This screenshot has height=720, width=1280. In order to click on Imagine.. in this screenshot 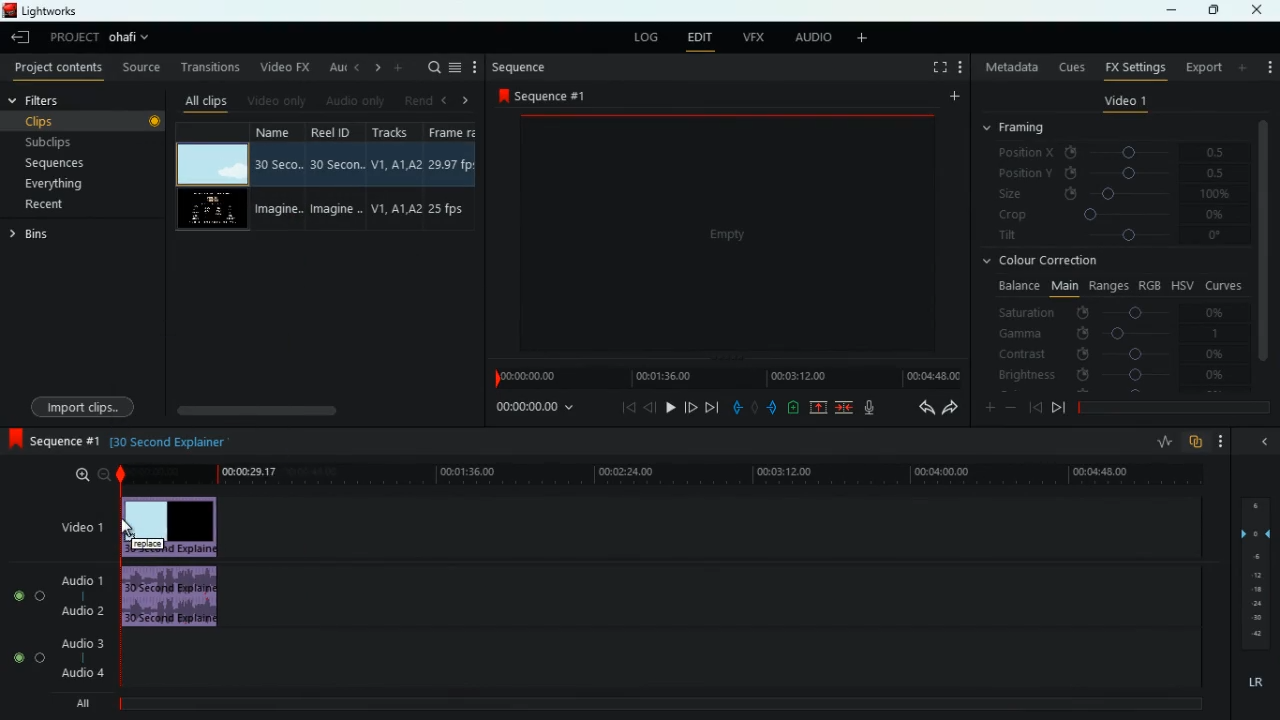, I will do `click(280, 210)`.